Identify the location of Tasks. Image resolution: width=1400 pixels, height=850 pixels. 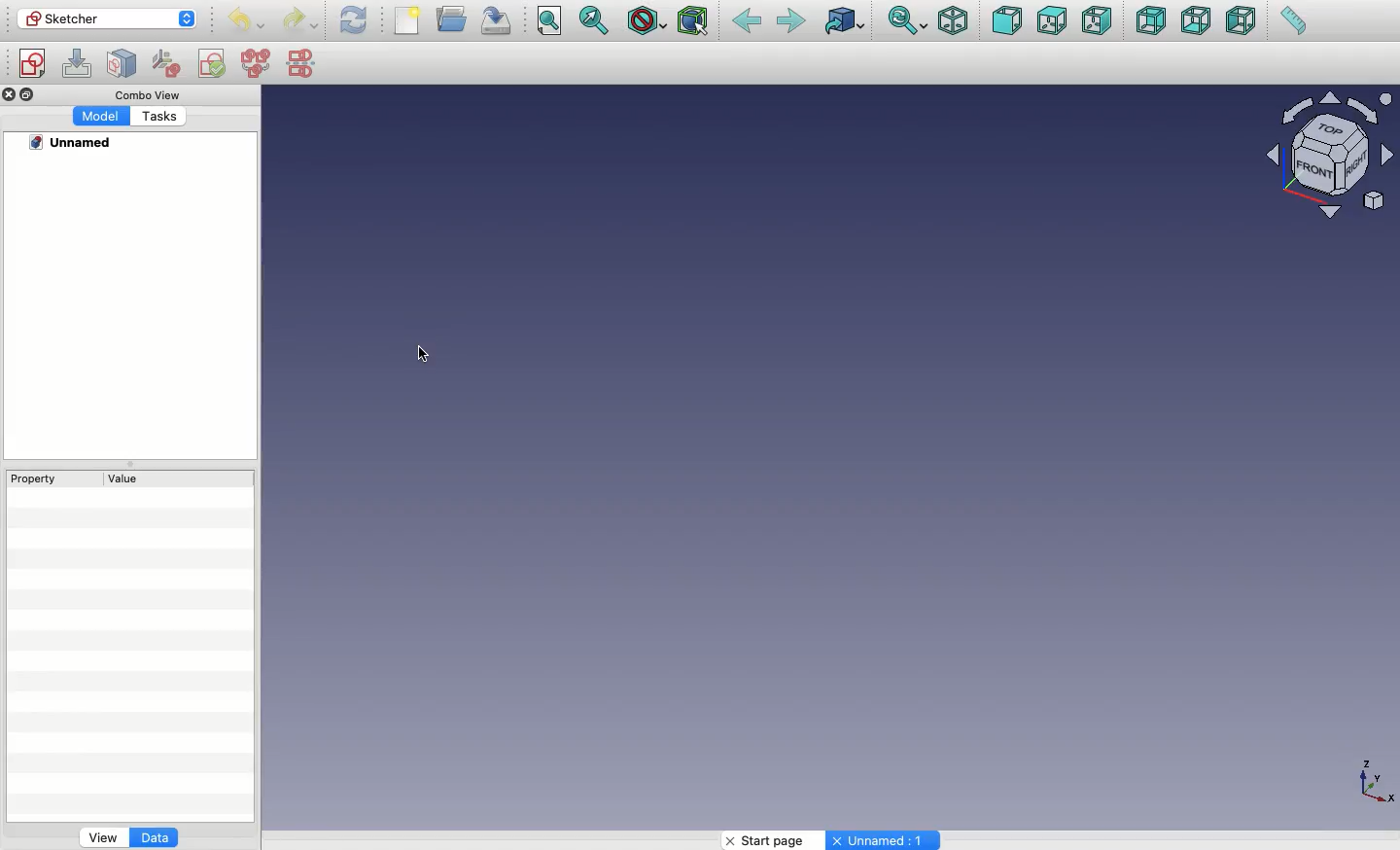
(158, 118).